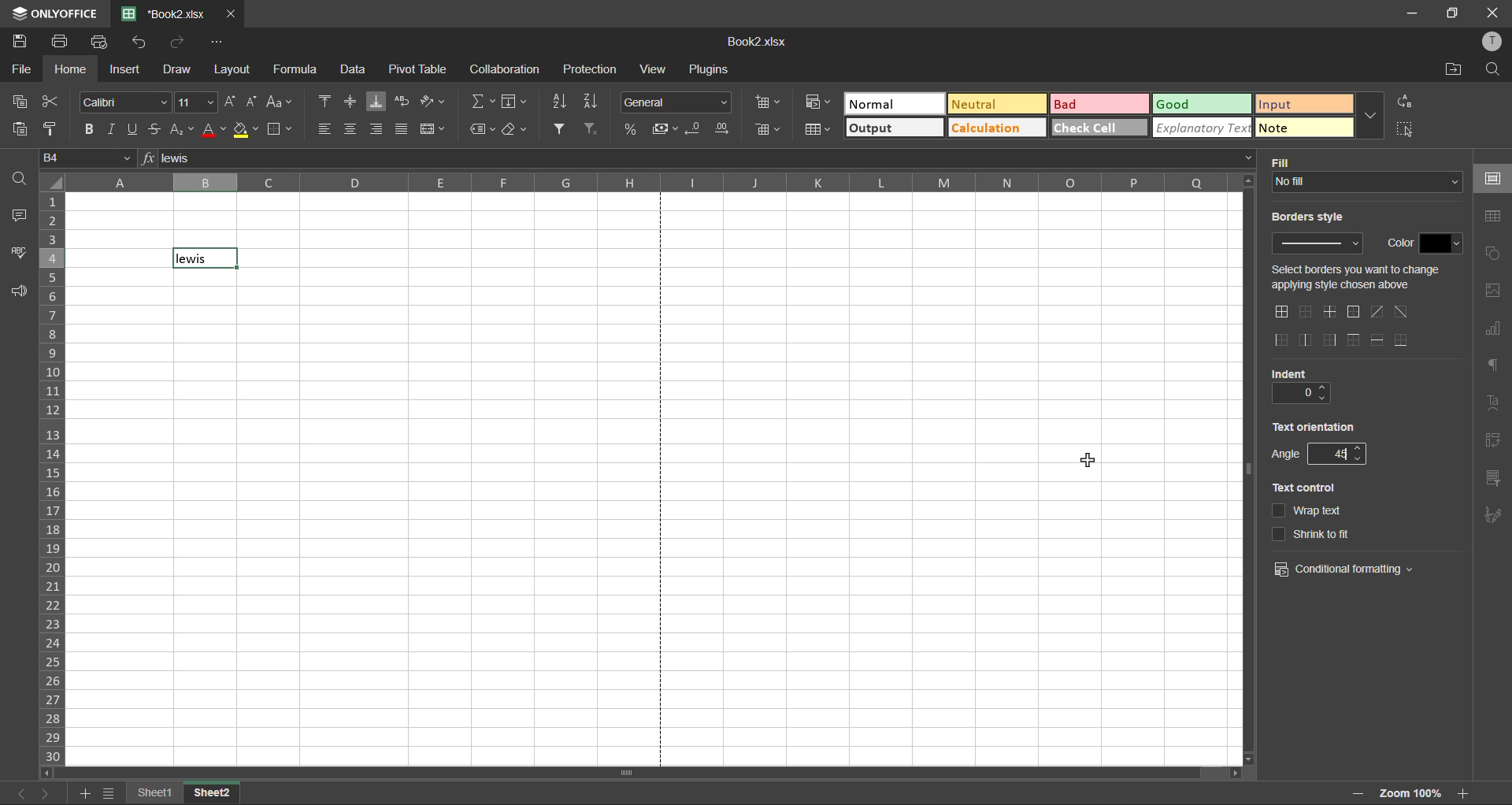 Image resolution: width=1512 pixels, height=805 pixels. What do you see at coordinates (1090, 457) in the screenshot?
I see `cursor` at bounding box center [1090, 457].